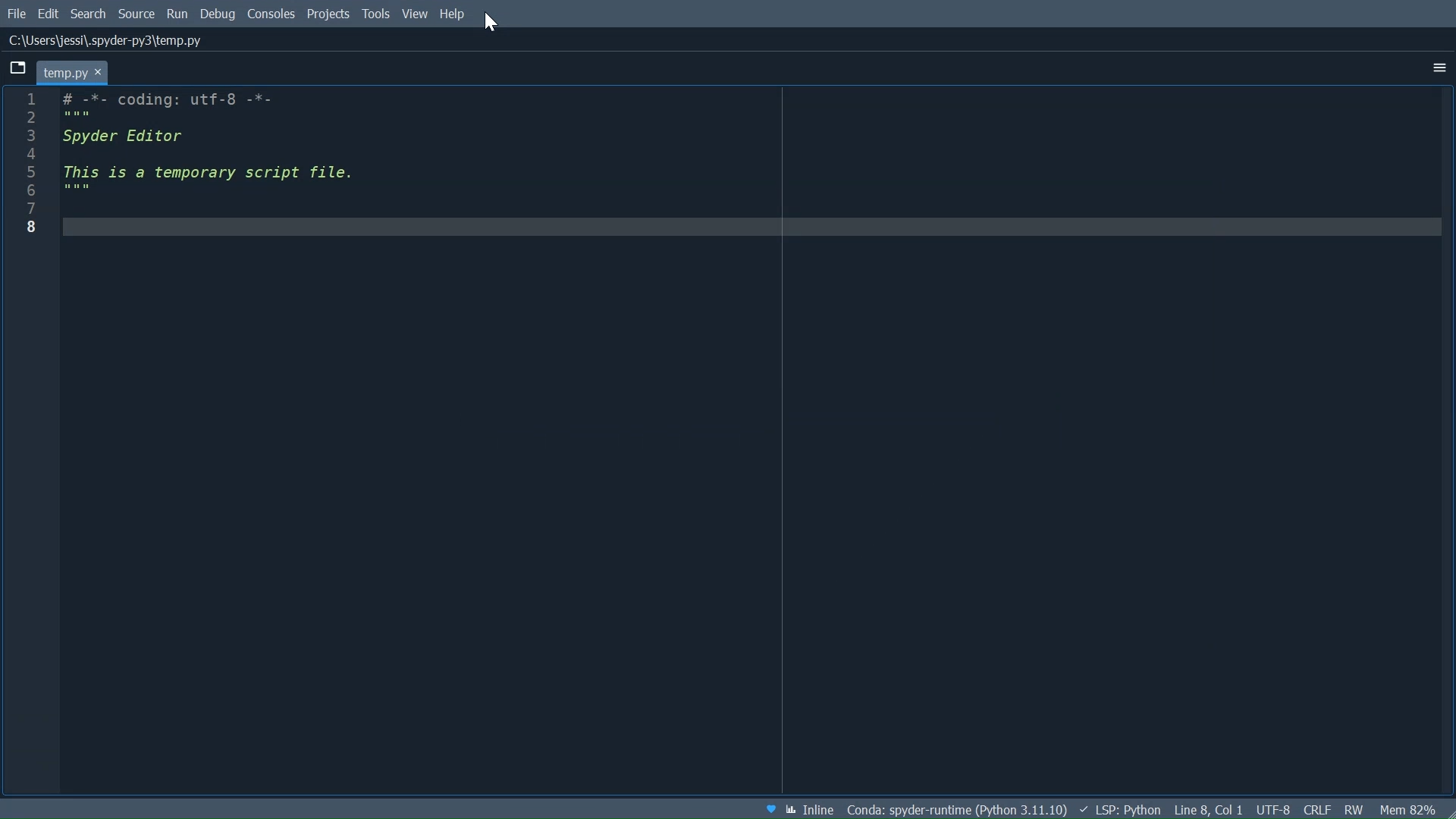 This screenshot has width=1456, height=819. I want to click on View, so click(415, 14).